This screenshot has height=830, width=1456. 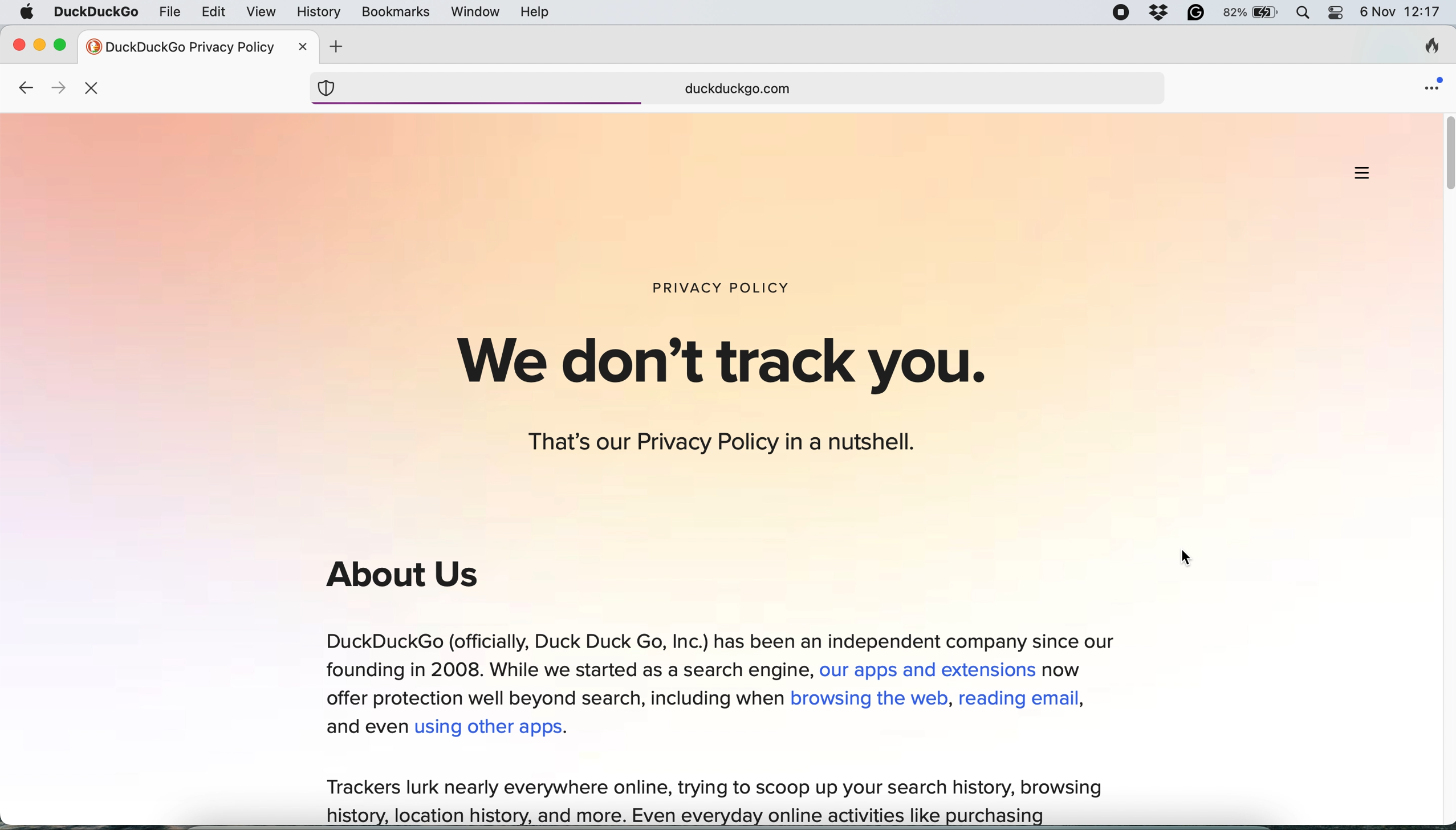 What do you see at coordinates (493, 728) in the screenshot?
I see `using other apps.` at bounding box center [493, 728].